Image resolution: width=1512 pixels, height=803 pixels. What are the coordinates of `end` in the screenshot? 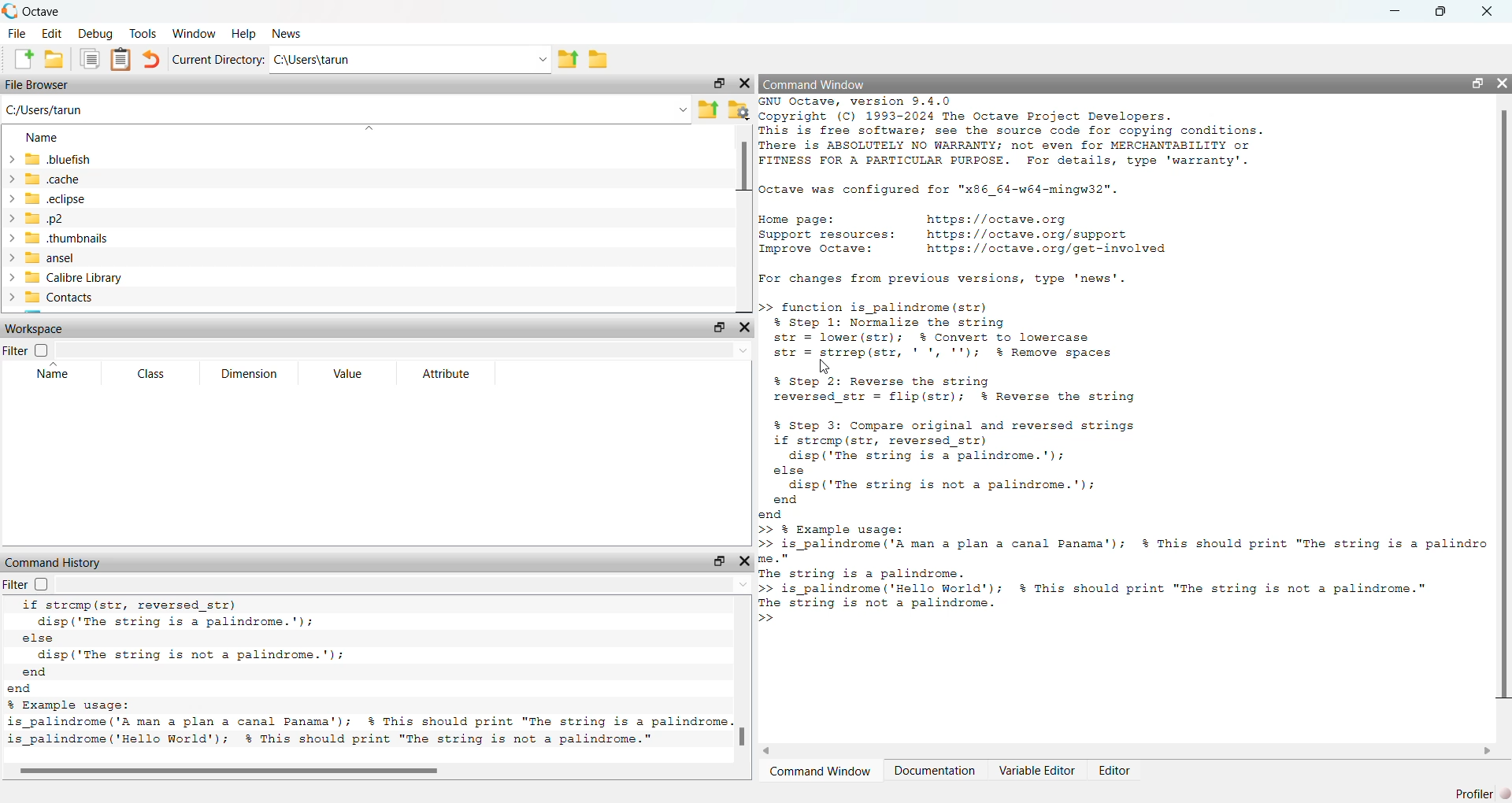 It's located at (79, 679).